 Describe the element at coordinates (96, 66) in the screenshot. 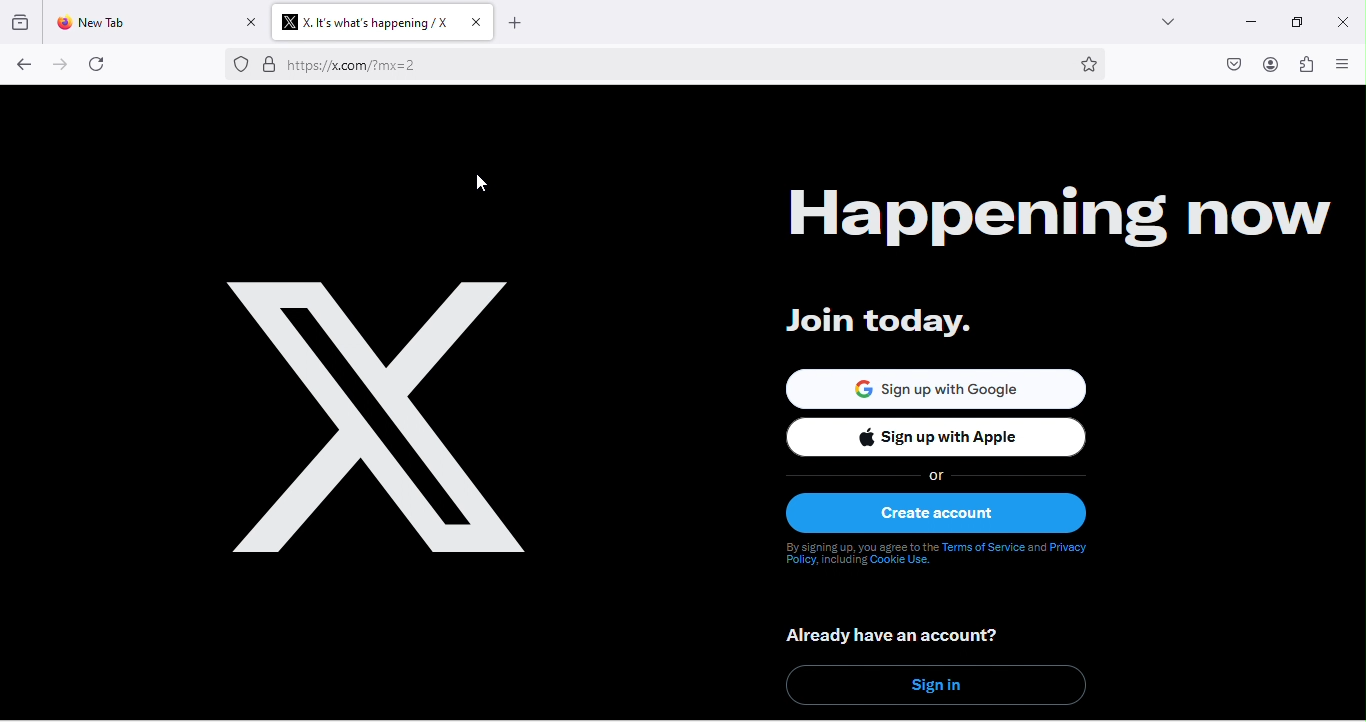

I see `refresh` at that location.